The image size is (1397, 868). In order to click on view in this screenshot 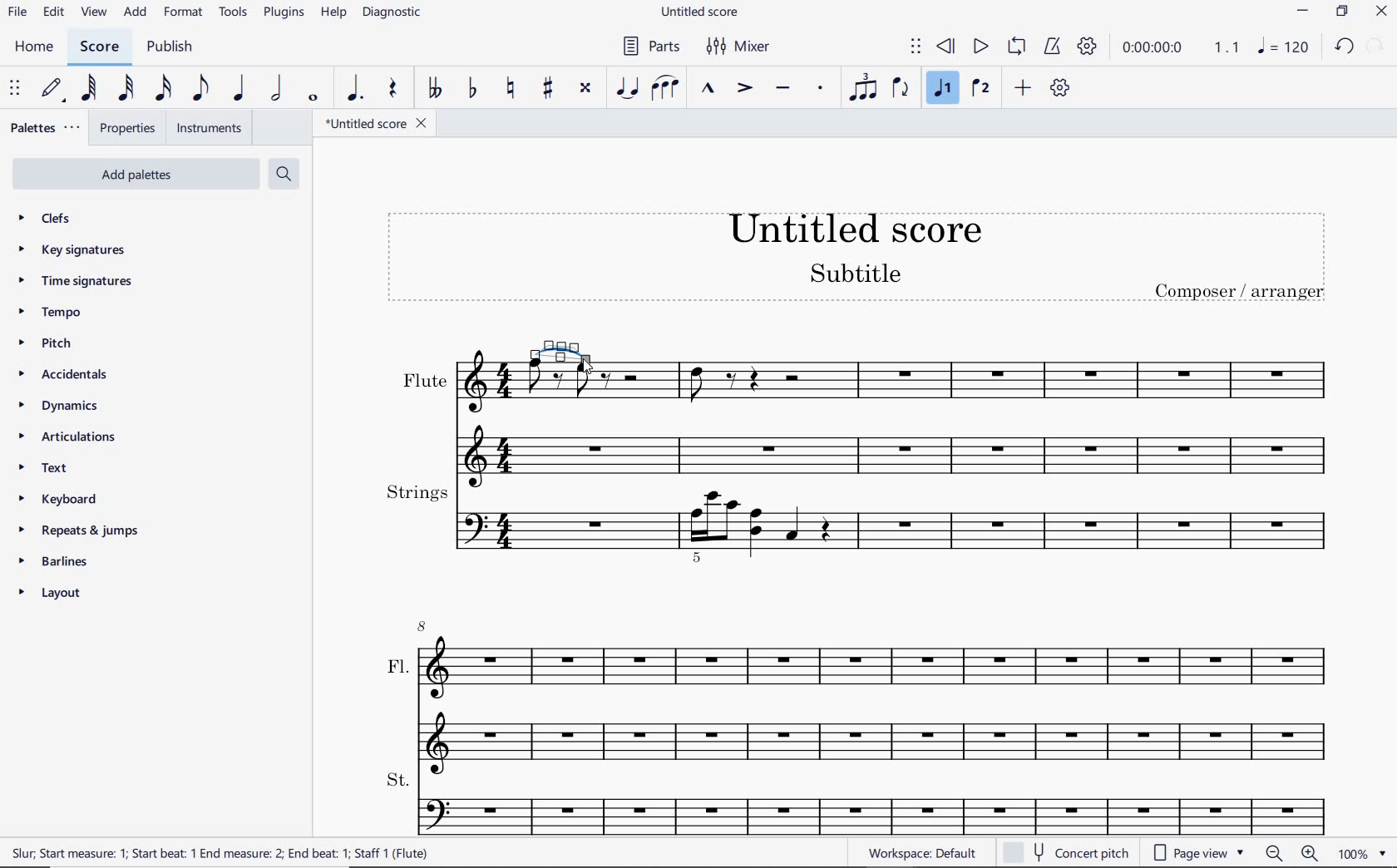, I will do `click(93, 12)`.